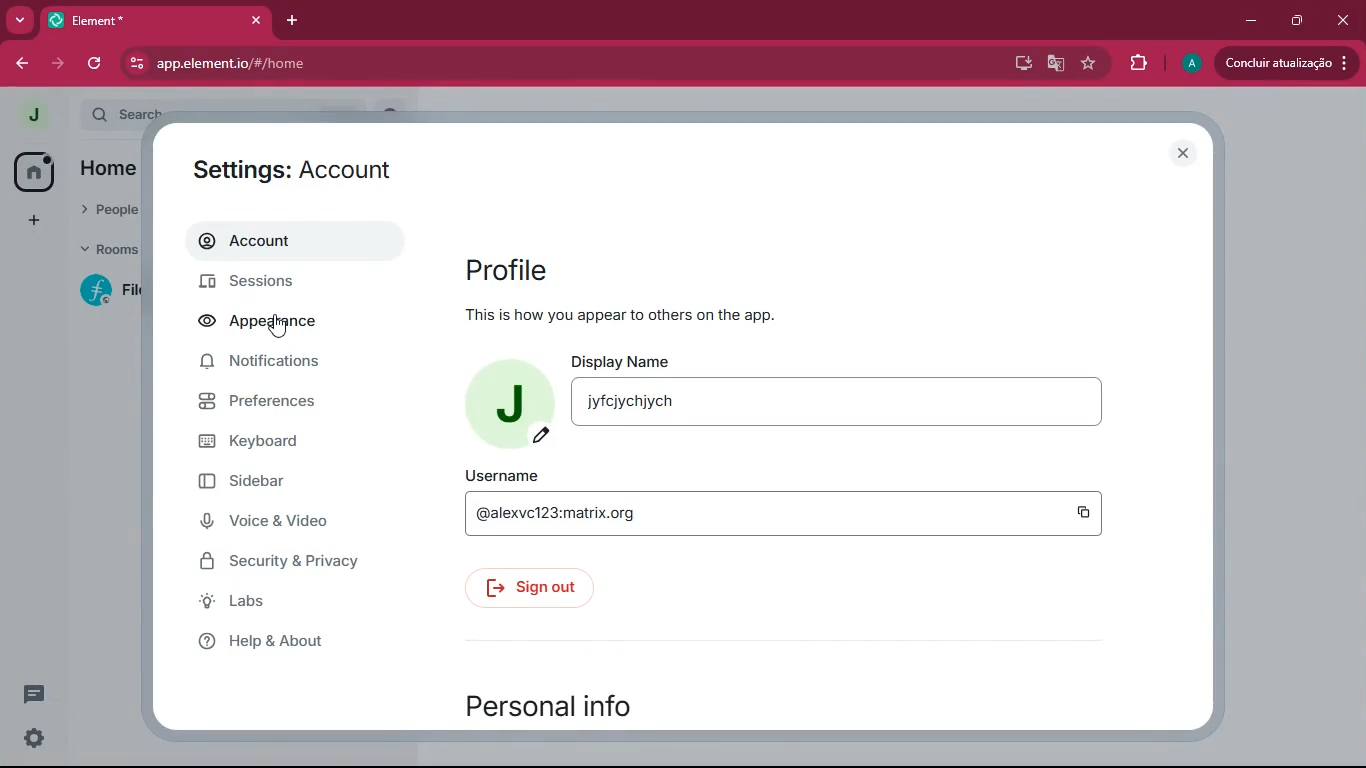  I want to click on more, so click(21, 19).